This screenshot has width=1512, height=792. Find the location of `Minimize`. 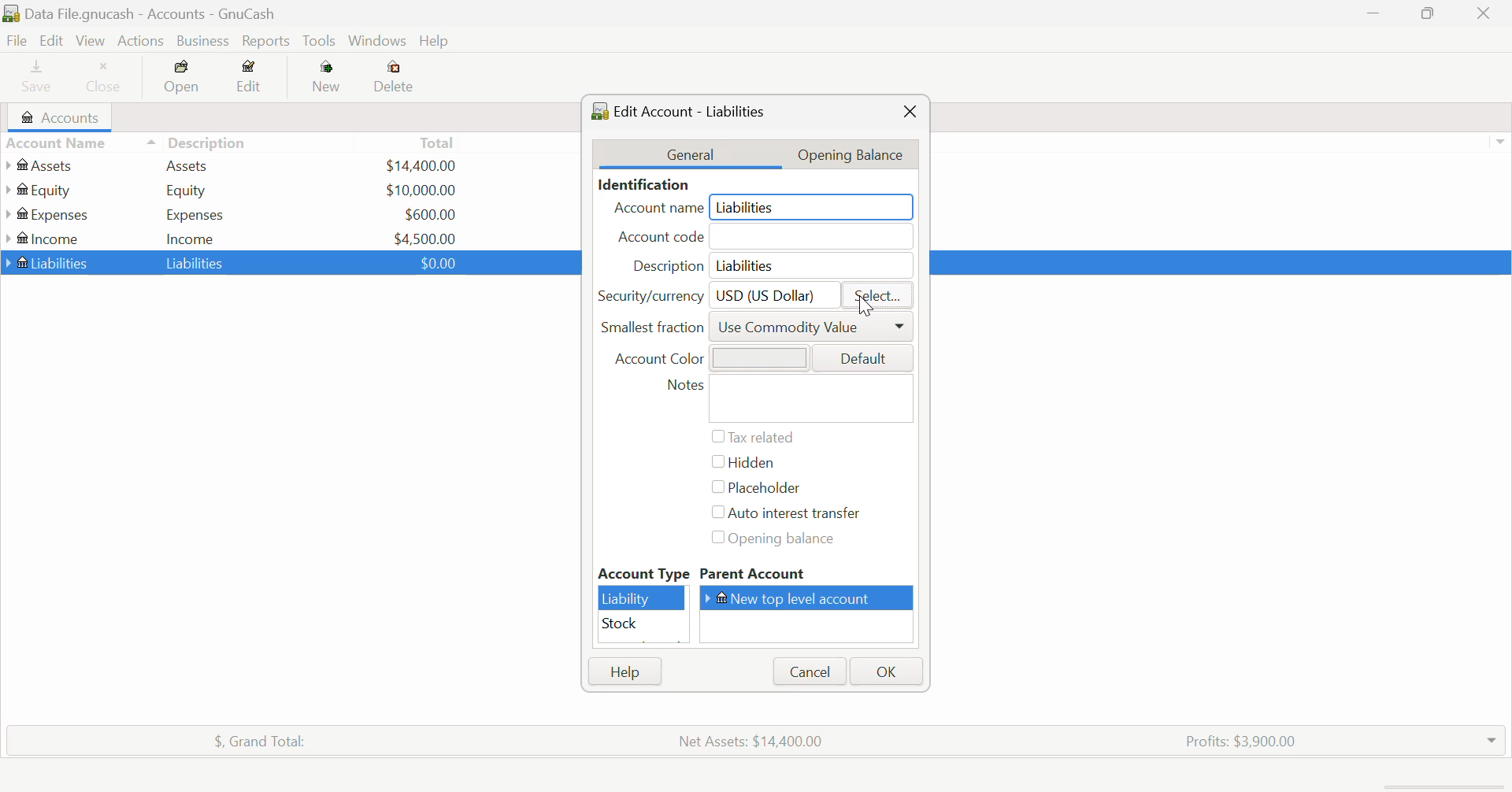

Minimize is located at coordinates (1430, 15).